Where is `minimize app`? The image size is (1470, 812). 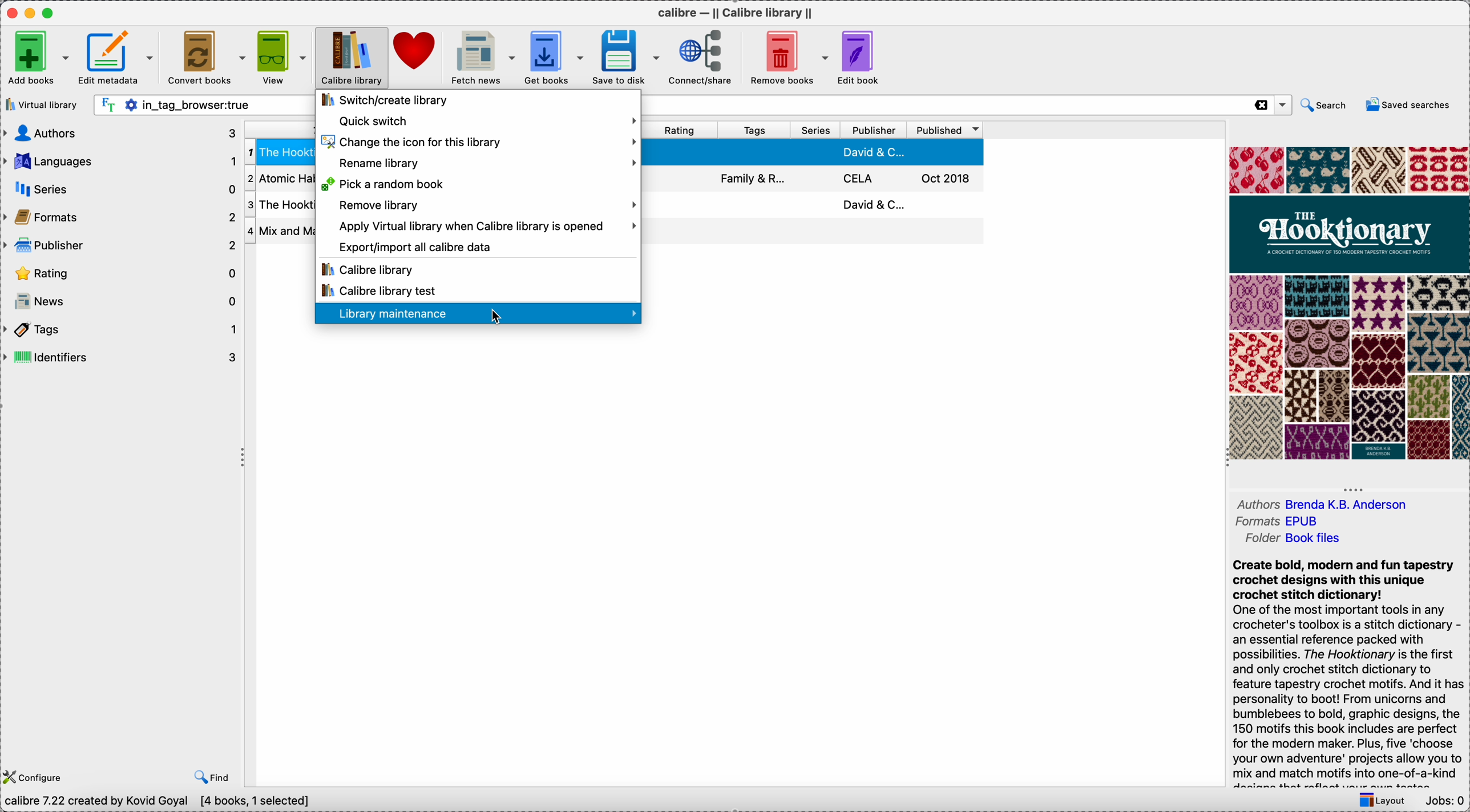 minimize app is located at coordinates (30, 11).